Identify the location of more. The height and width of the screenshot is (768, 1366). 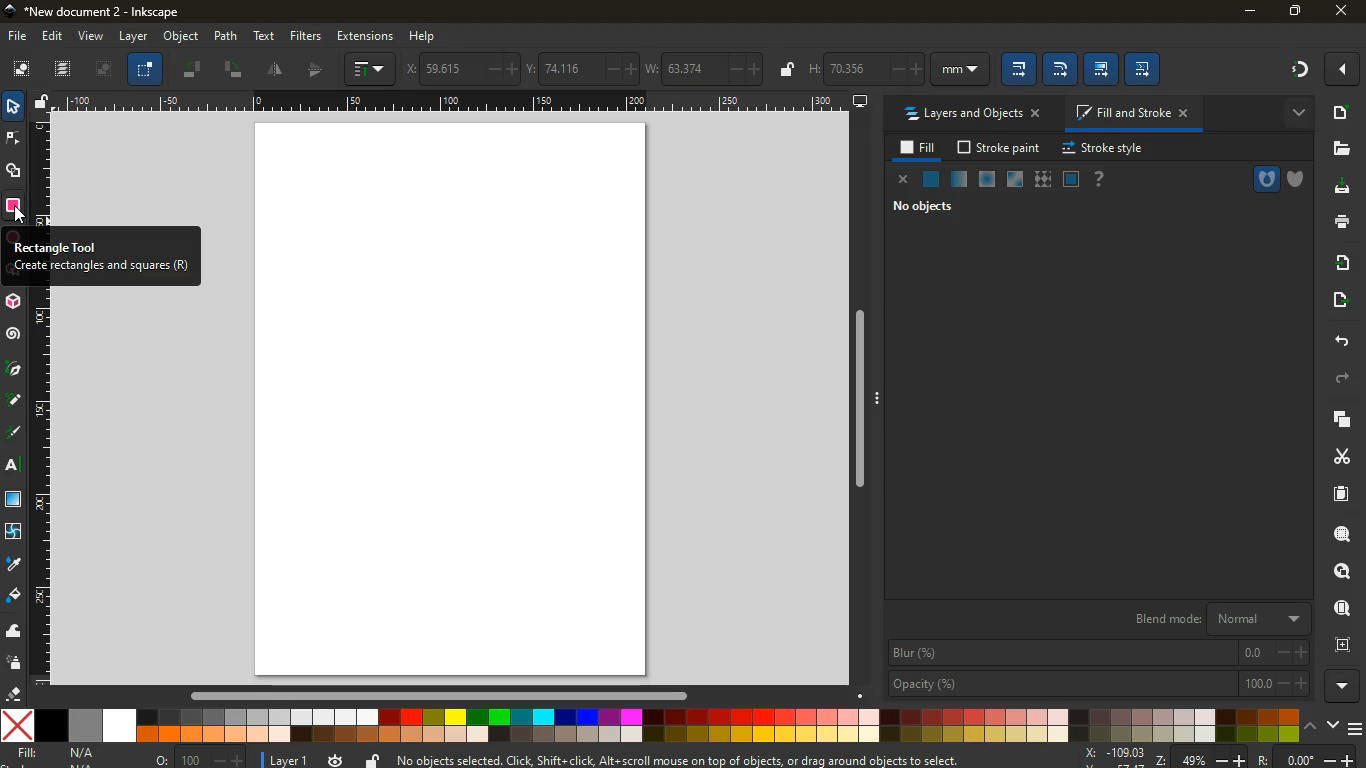
(1345, 71).